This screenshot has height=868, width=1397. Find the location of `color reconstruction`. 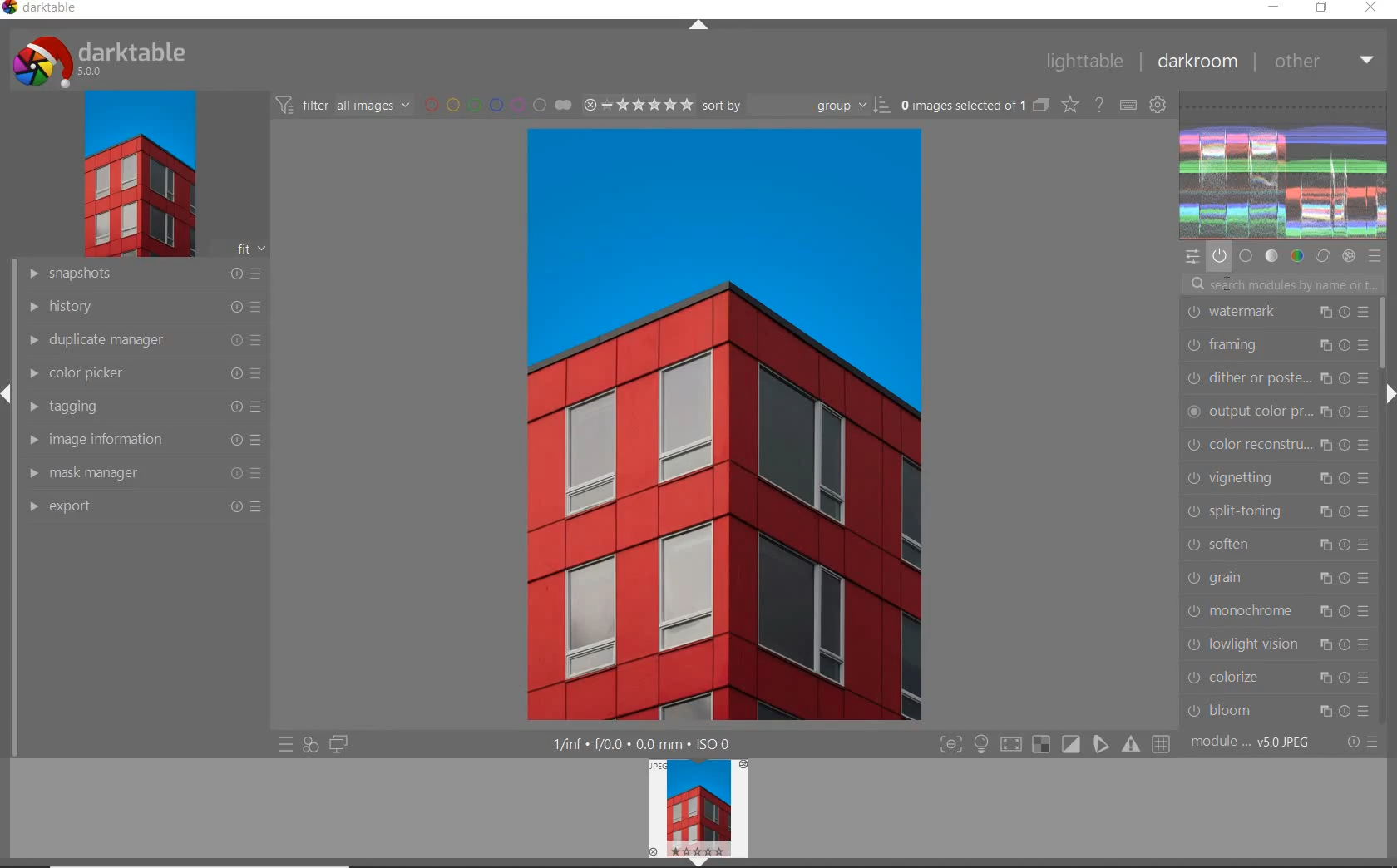

color reconstruction is located at coordinates (1276, 446).